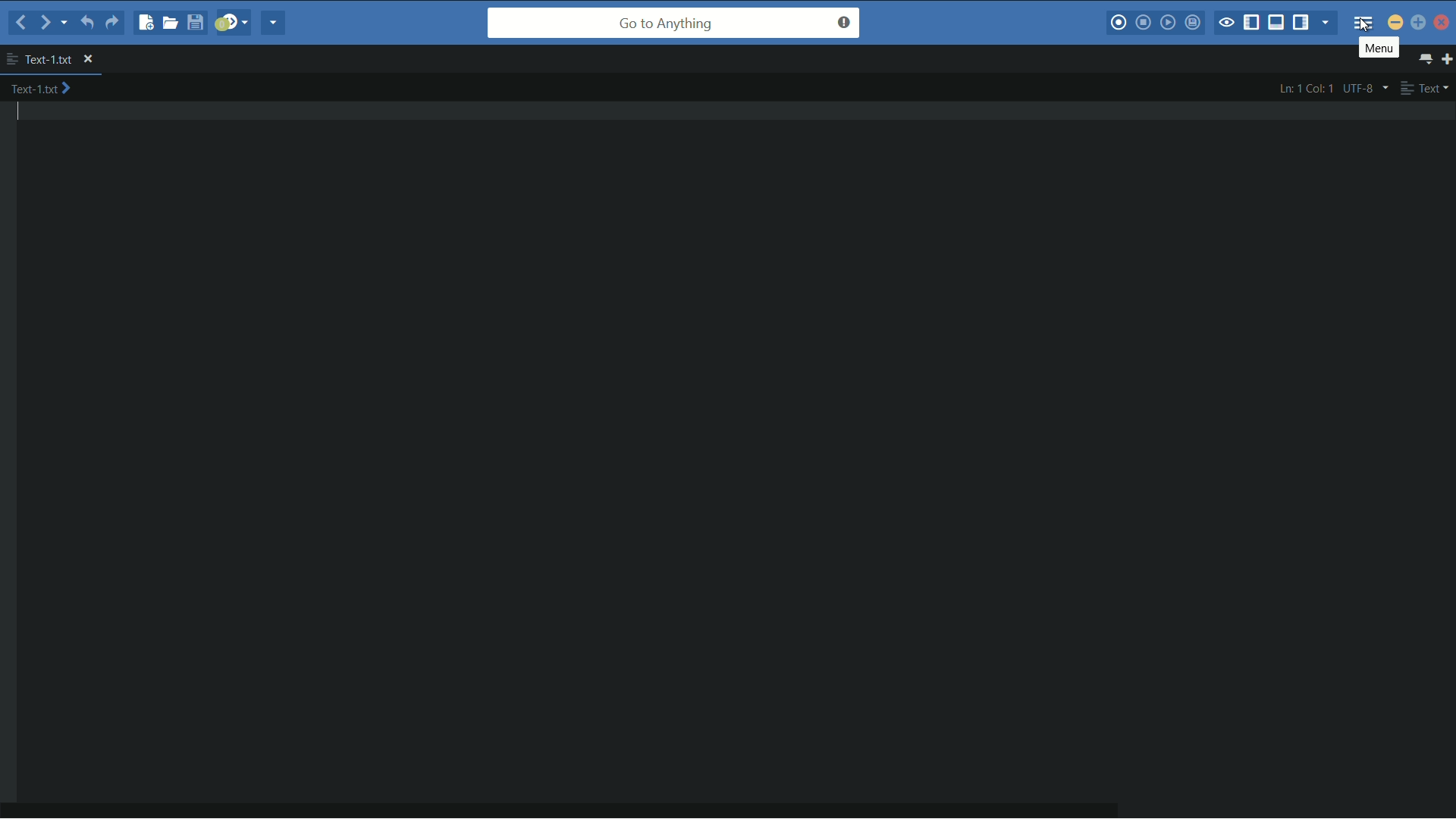  I want to click on text-1.txt, so click(42, 59).